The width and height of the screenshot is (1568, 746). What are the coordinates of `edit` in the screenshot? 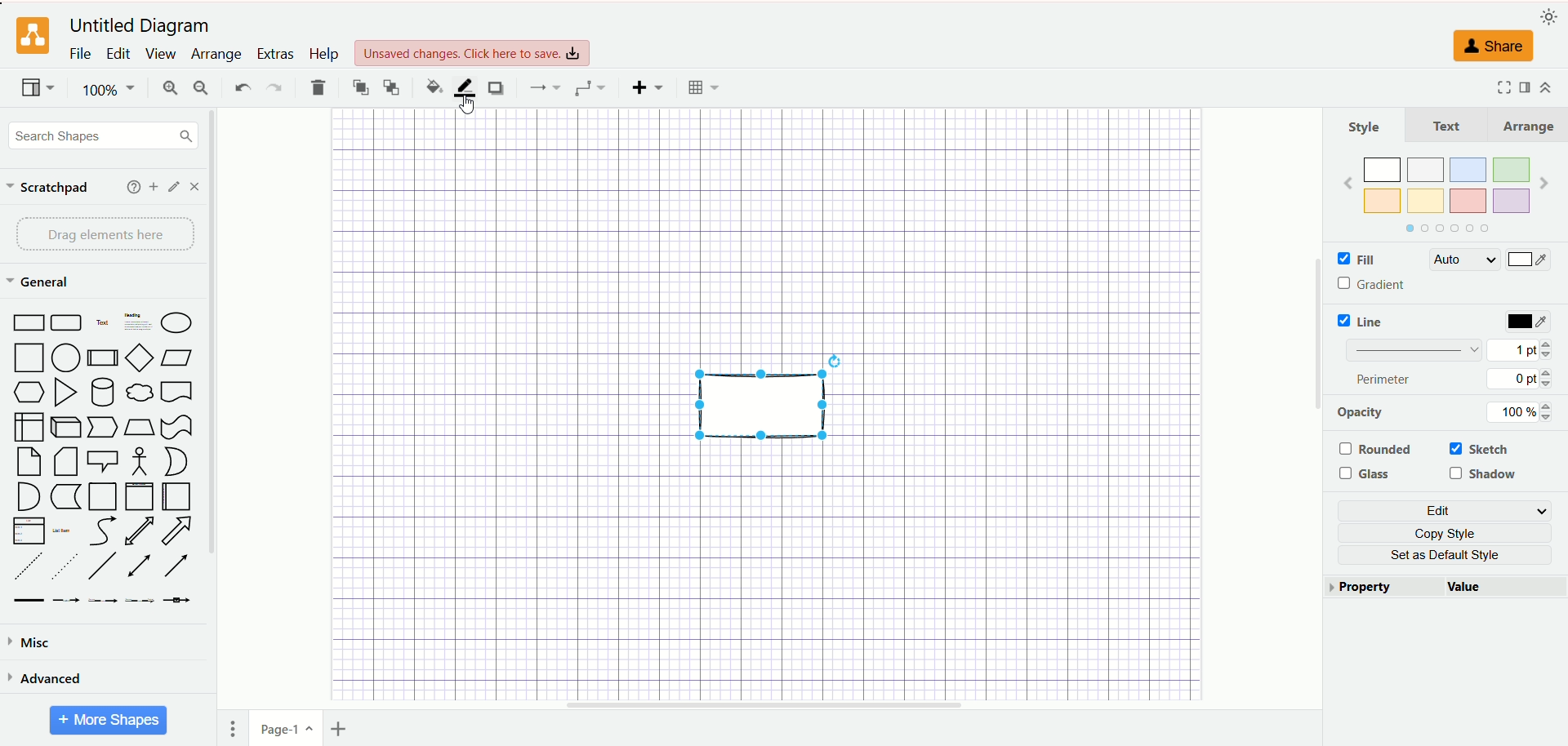 It's located at (171, 186).